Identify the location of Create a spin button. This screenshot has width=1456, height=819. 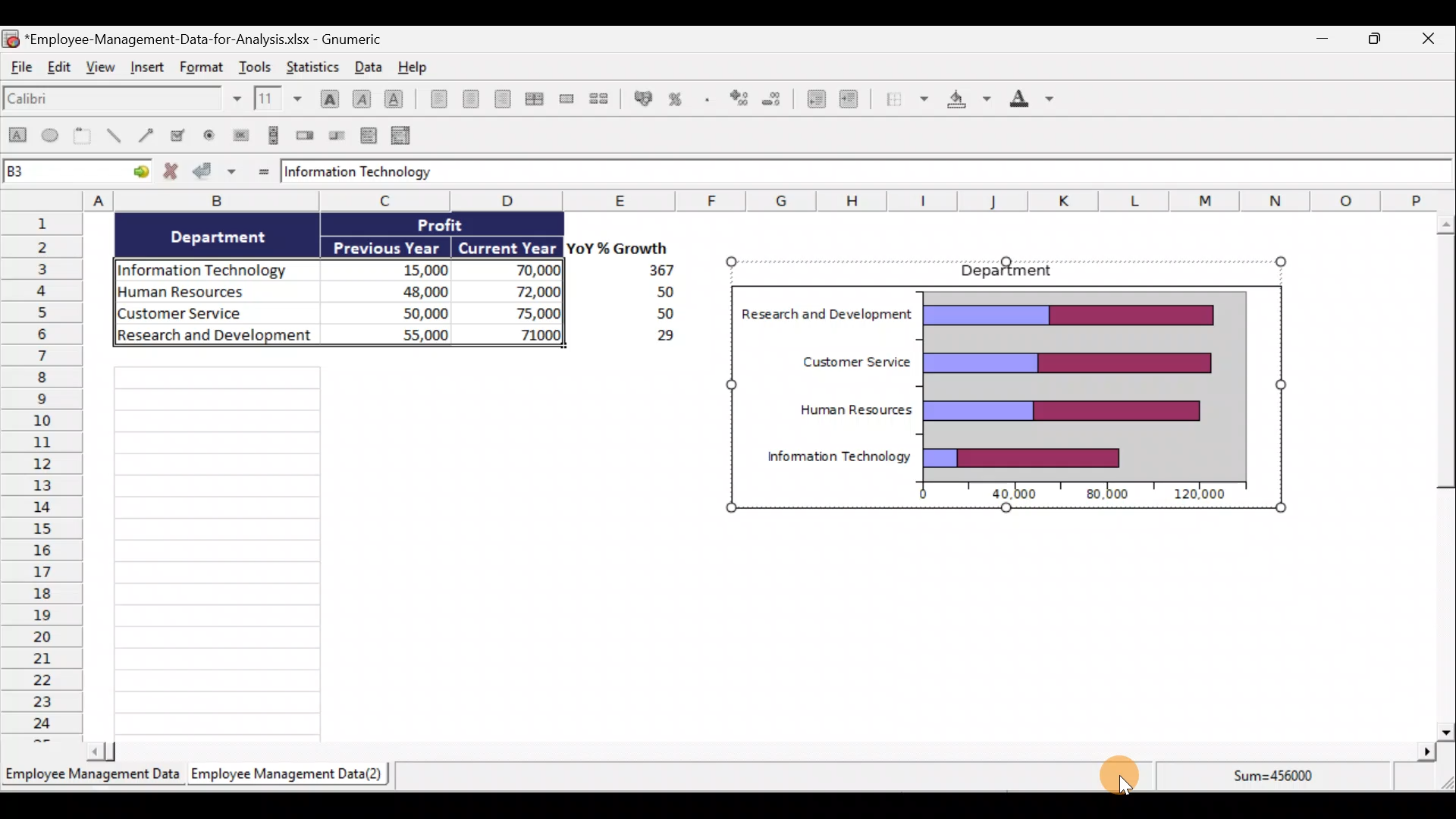
(306, 136).